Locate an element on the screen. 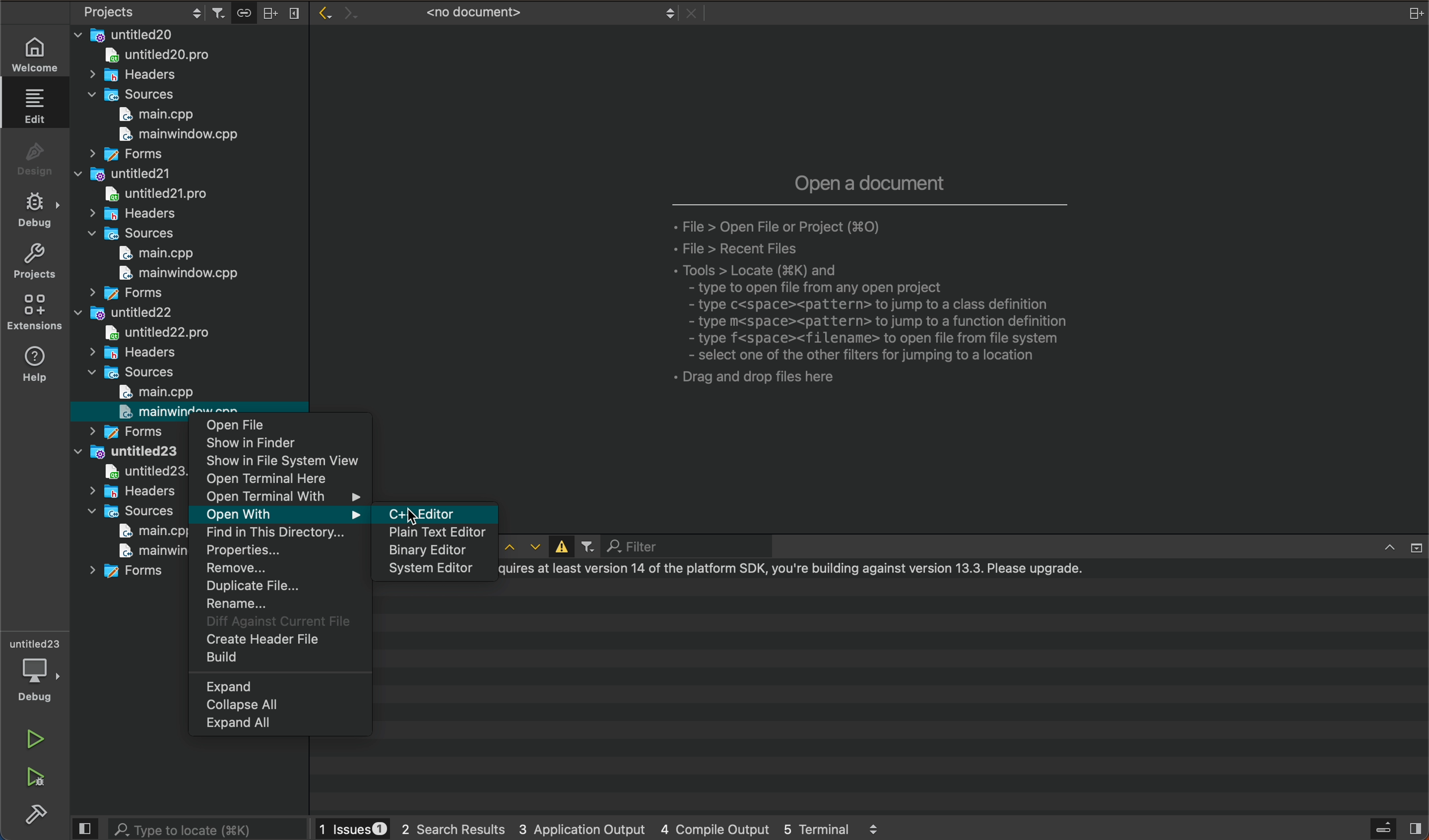 The image size is (1429, 840). mainwindow.cpp is located at coordinates (174, 137).